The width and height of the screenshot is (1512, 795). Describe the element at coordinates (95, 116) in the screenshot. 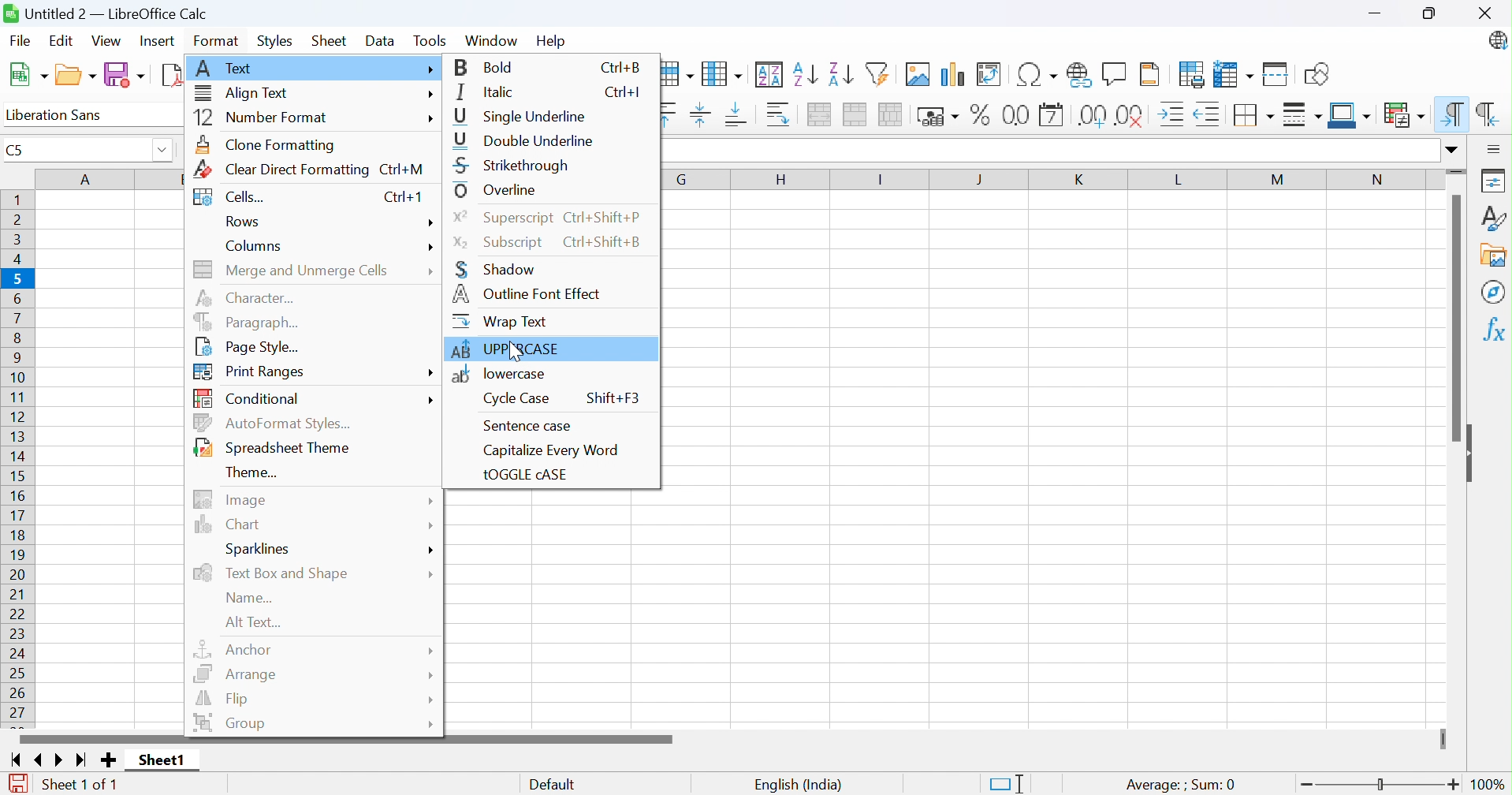

I see `Font name` at that location.